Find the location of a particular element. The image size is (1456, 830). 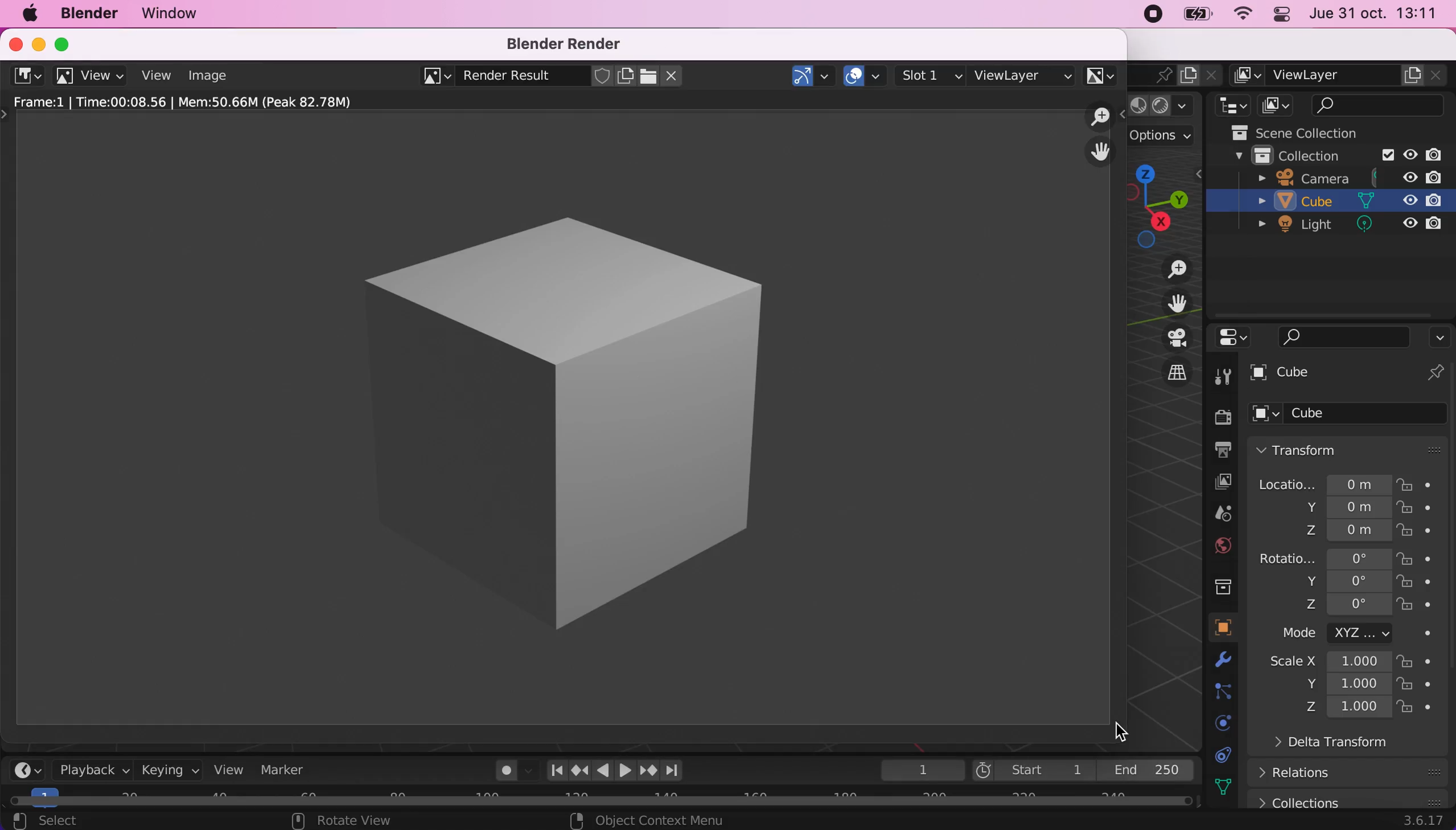

cube options is located at coordinates (1354, 414).